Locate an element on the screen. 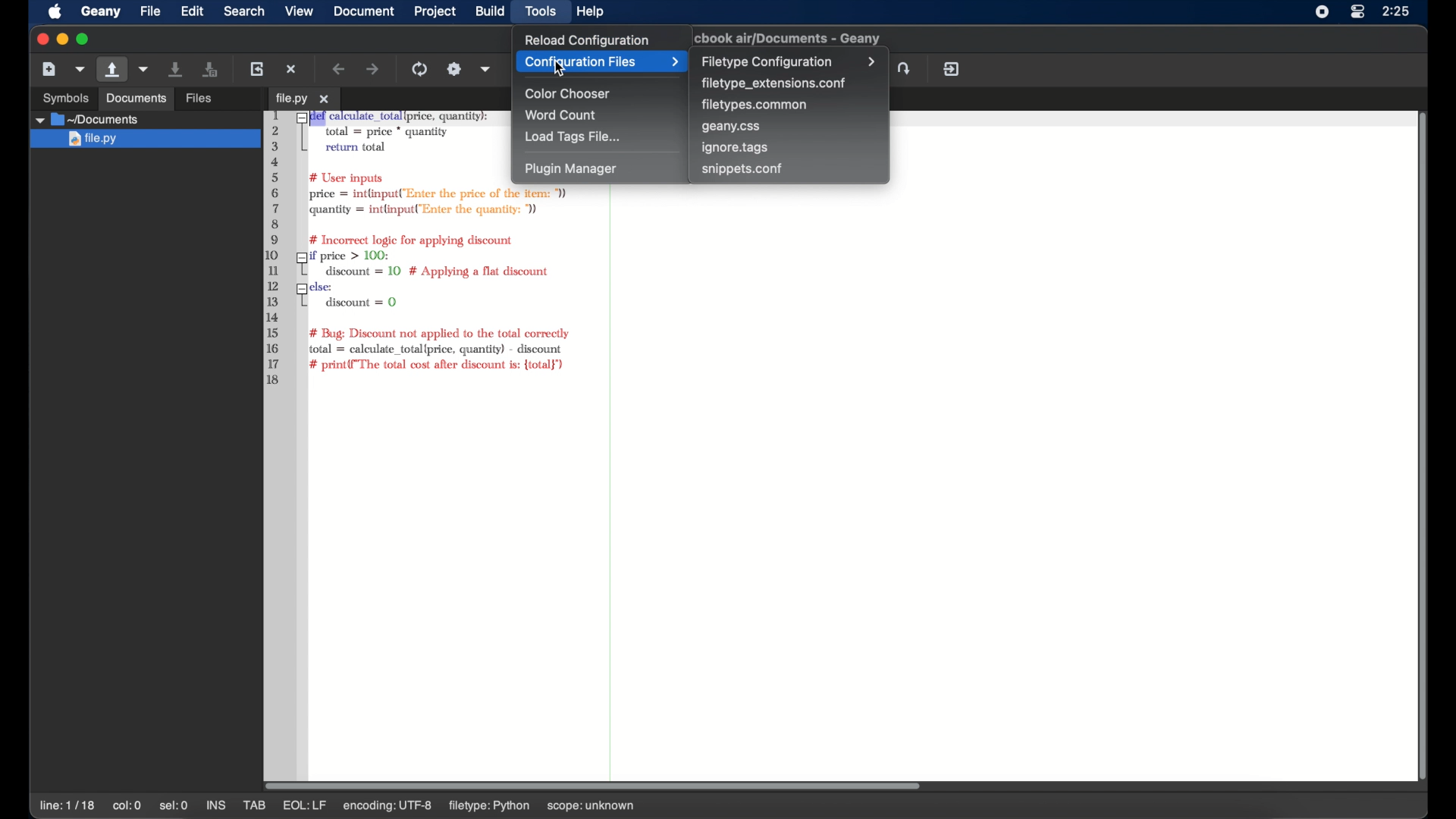 The width and height of the screenshot is (1456, 819). geany is located at coordinates (101, 12).